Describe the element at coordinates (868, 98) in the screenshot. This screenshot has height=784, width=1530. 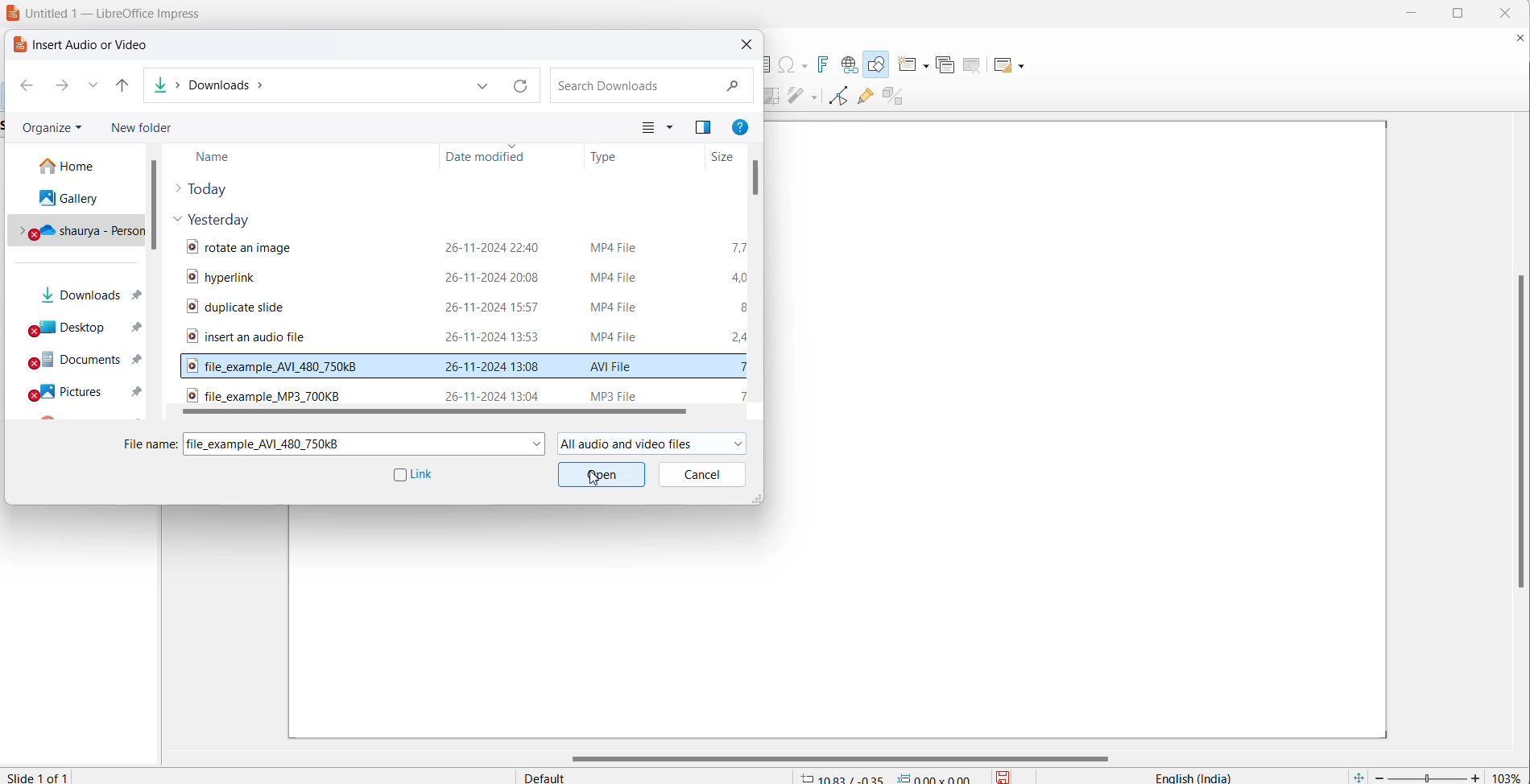
I see `show gluepoint function` at that location.